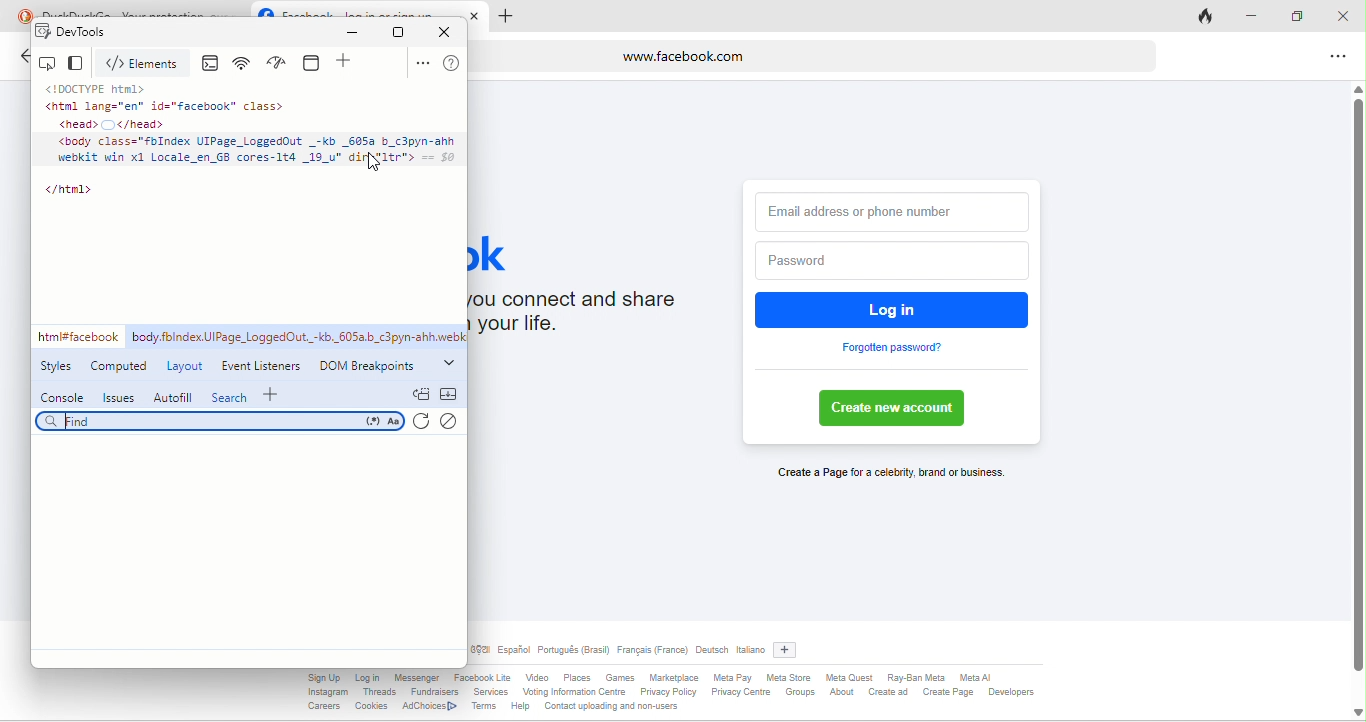 The height and width of the screenshot is (722, 1366). I want to click on computed, so click(118, 366).